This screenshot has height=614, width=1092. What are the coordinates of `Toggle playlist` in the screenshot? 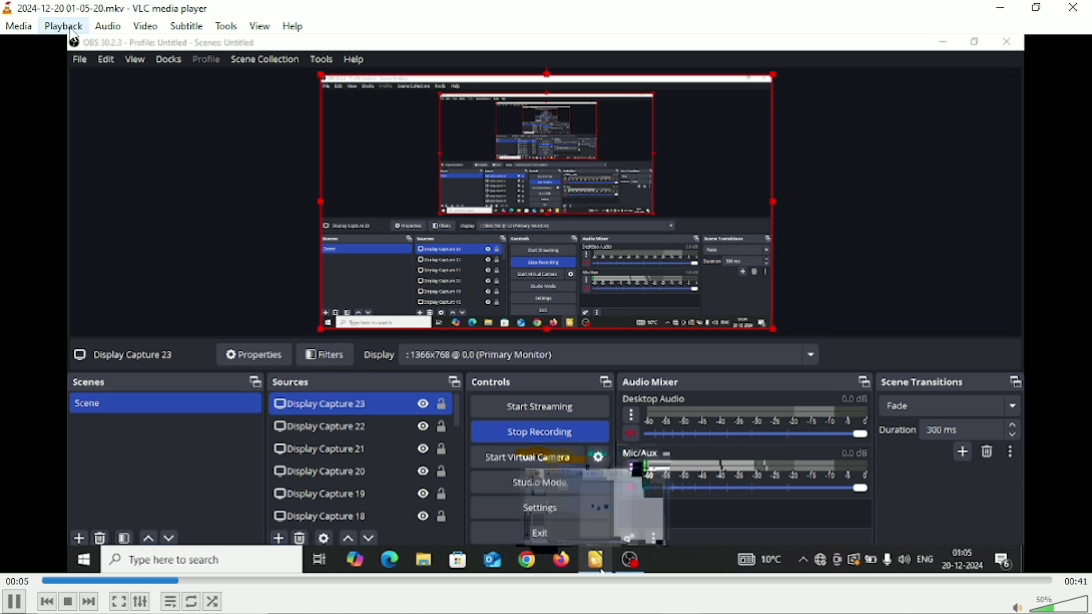 It's located at (169, 601).